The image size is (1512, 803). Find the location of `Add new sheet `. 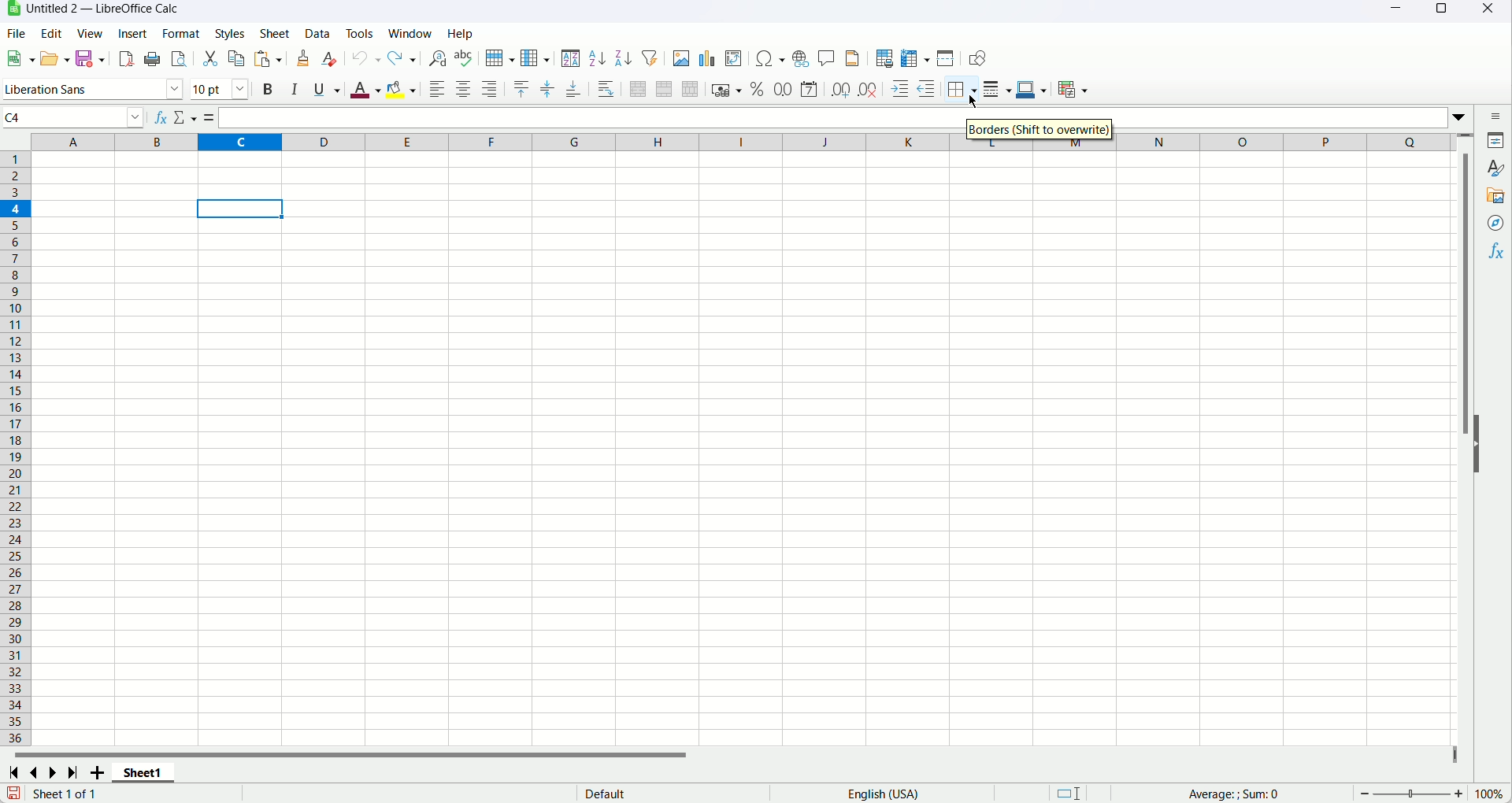

Add new sheet  is located at coordinates (97, 775).